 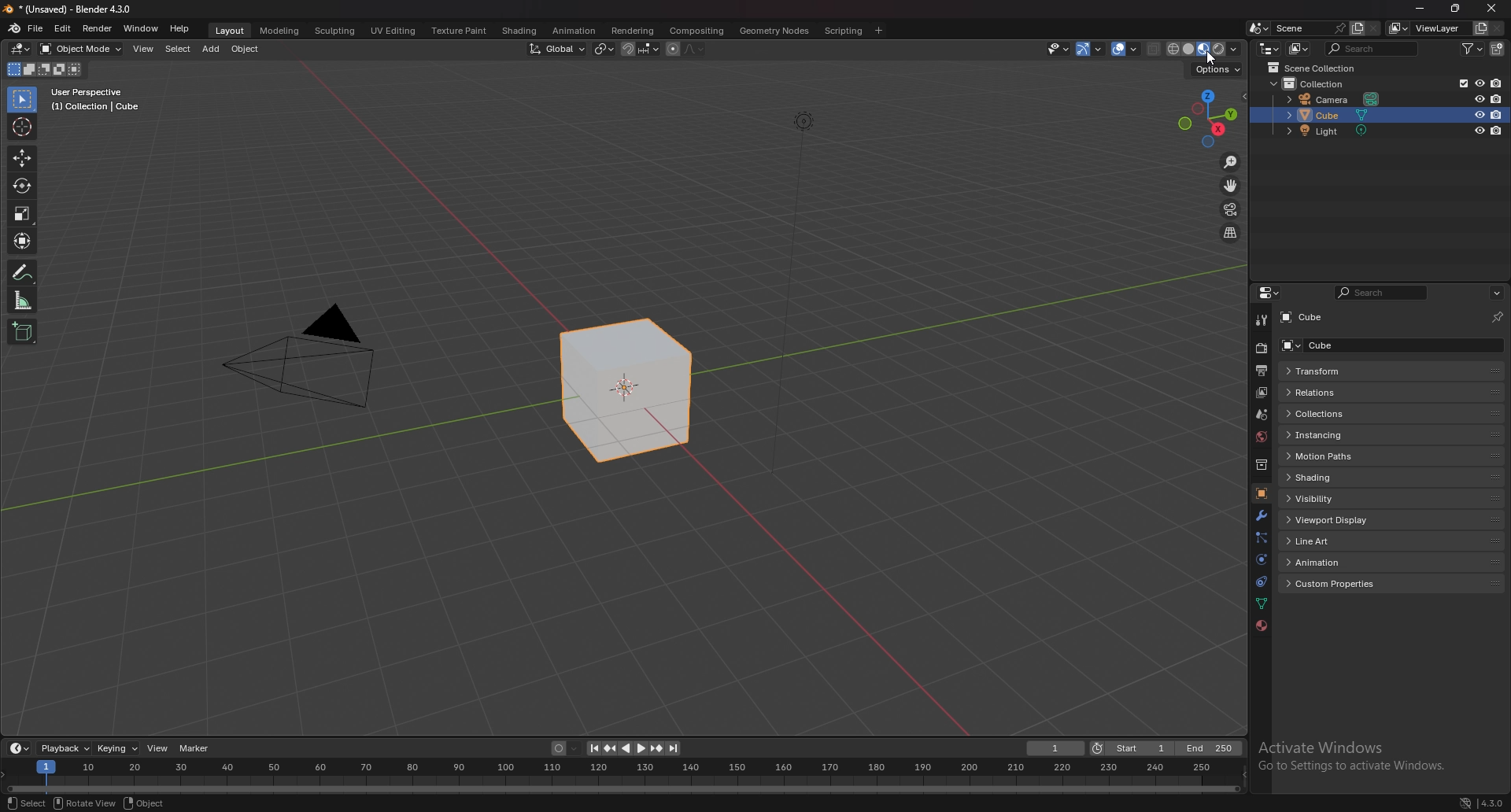 I want to click on disable in renders, so click(x=1496, y=100).